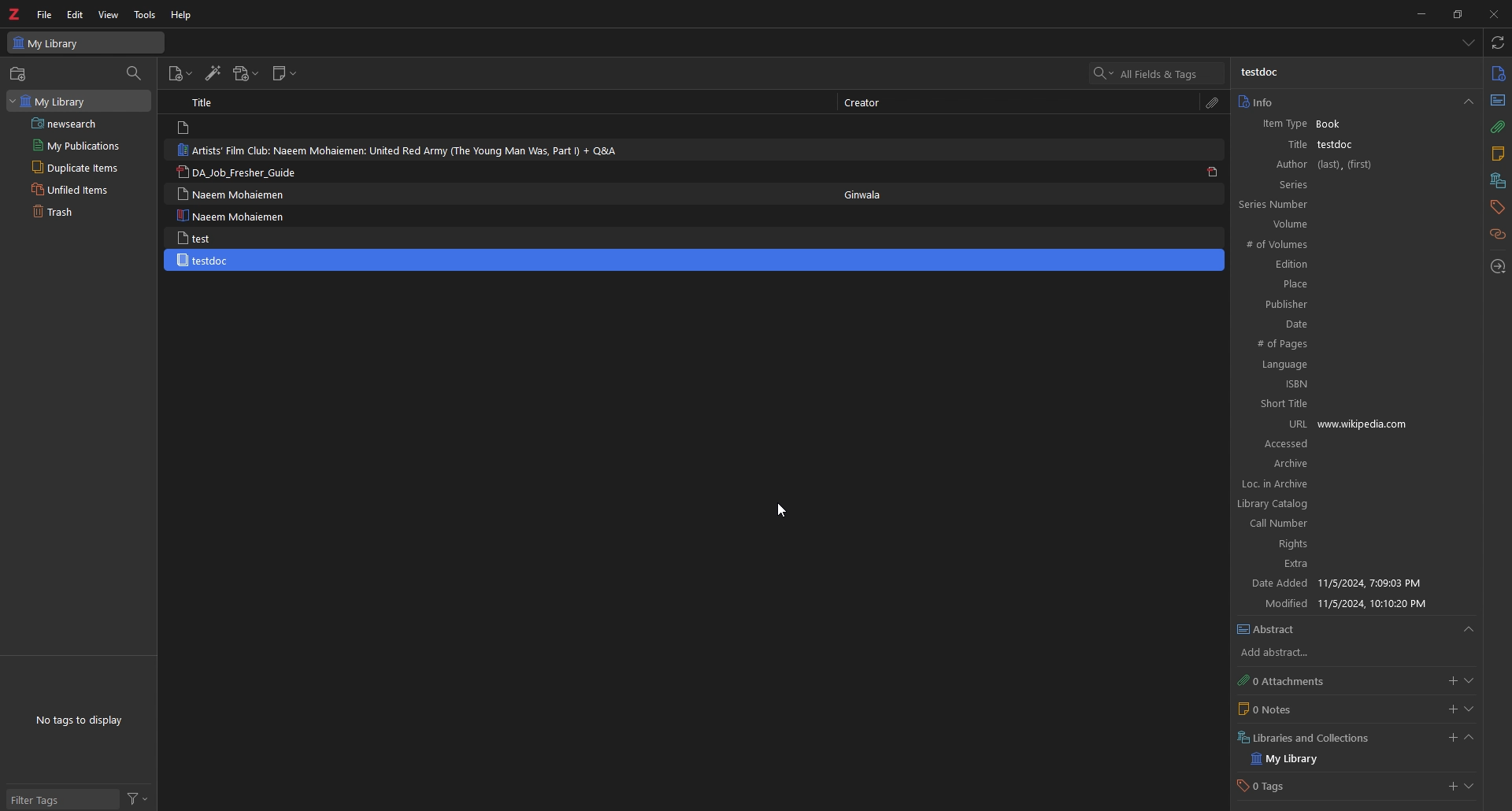 The image size is (1512, 811). What do you see at coordinates (1466, 42) in the screenshot?
I see `list all items` at bounding box center [1466, 42].